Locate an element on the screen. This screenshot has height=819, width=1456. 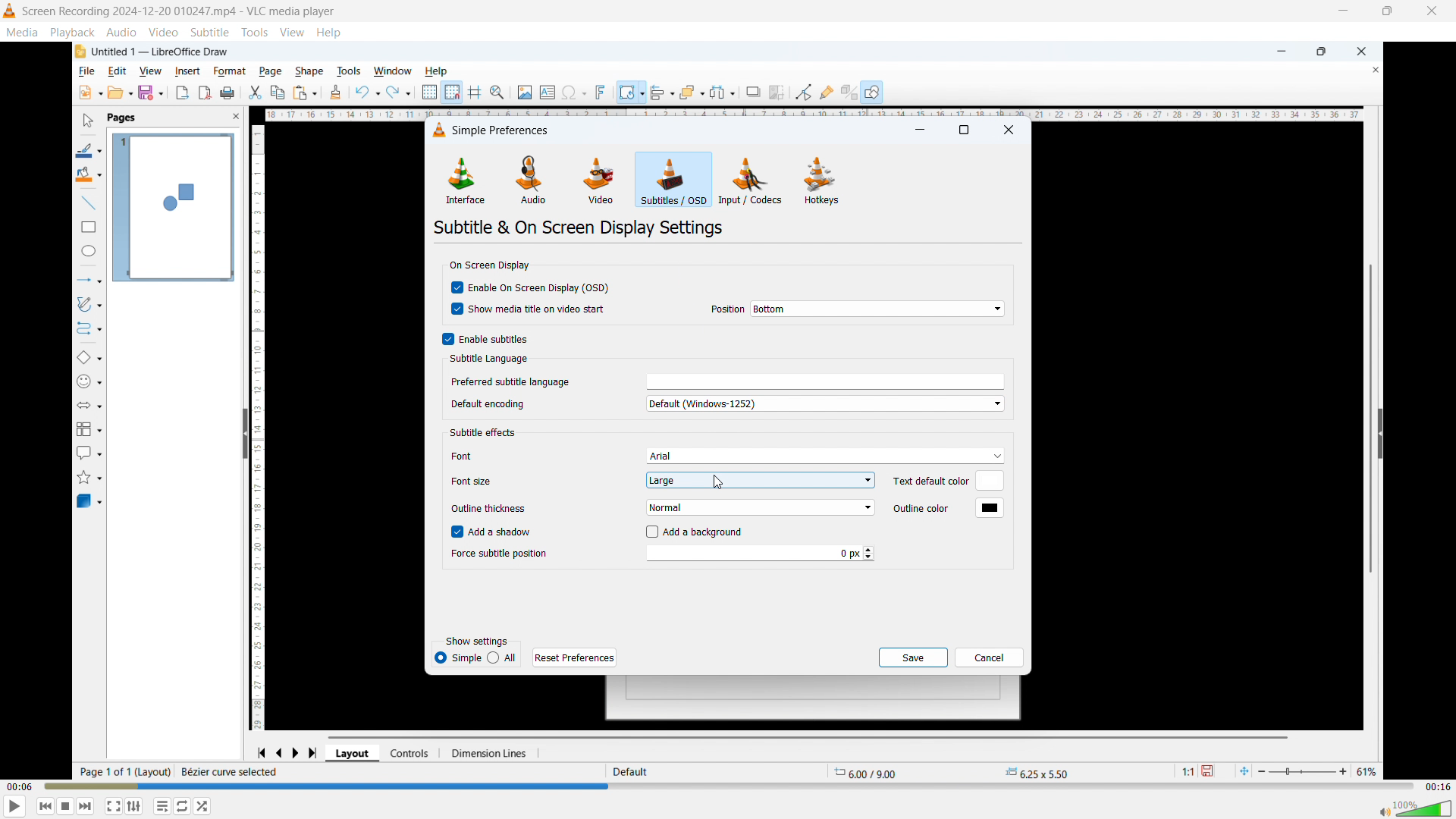
Maximise  is located at coordinates (1387, 12).